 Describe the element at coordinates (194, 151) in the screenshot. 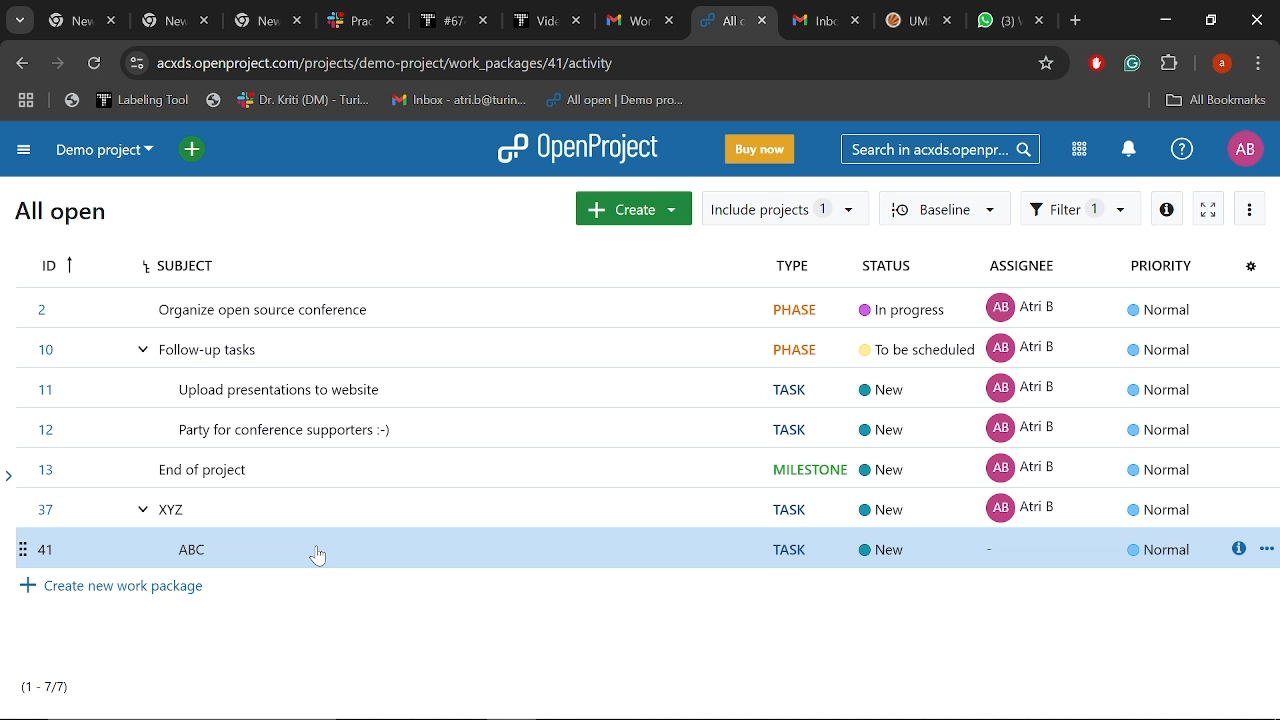

I see `Open quick add menu` at that location.